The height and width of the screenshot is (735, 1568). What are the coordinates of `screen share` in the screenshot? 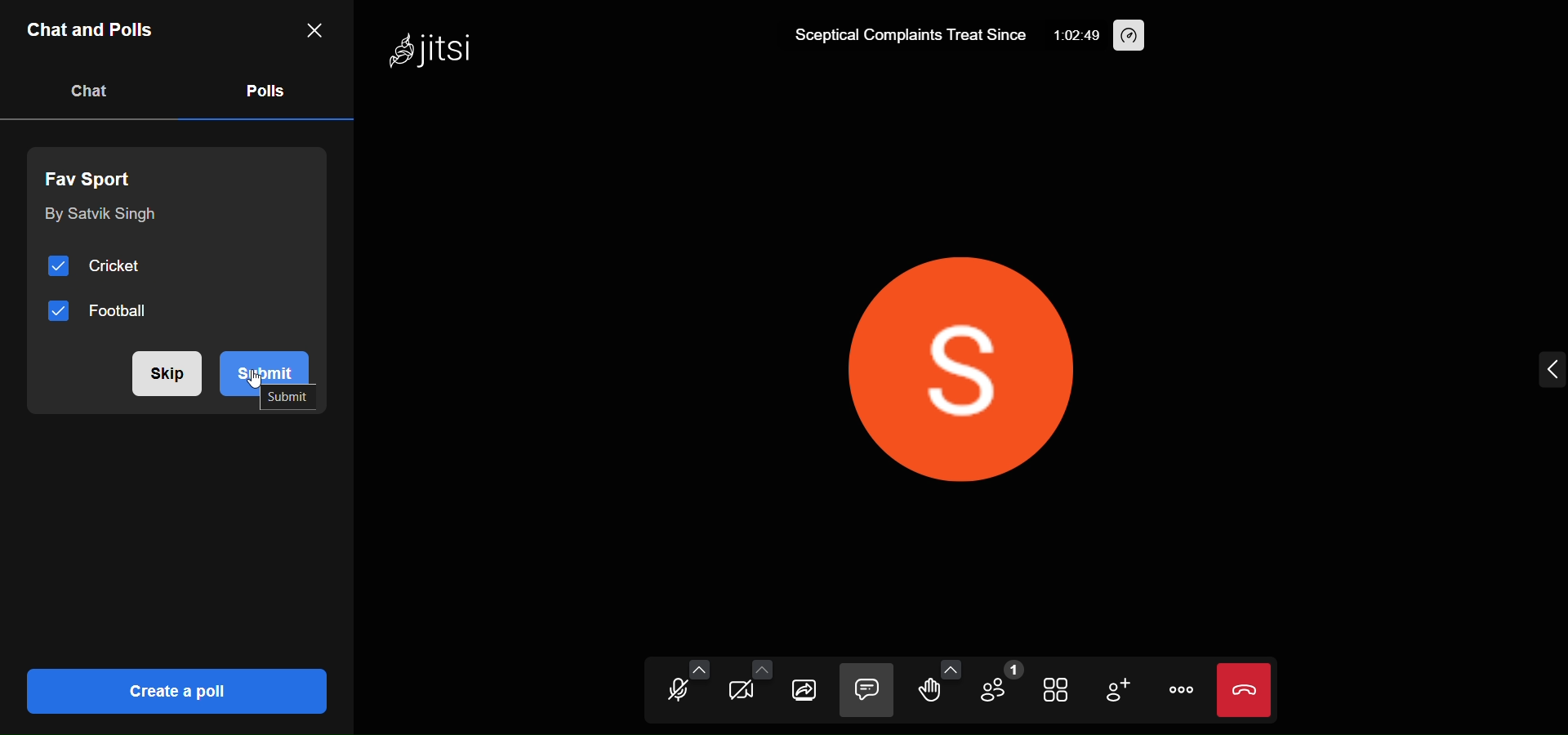 It's located at (804, 692).